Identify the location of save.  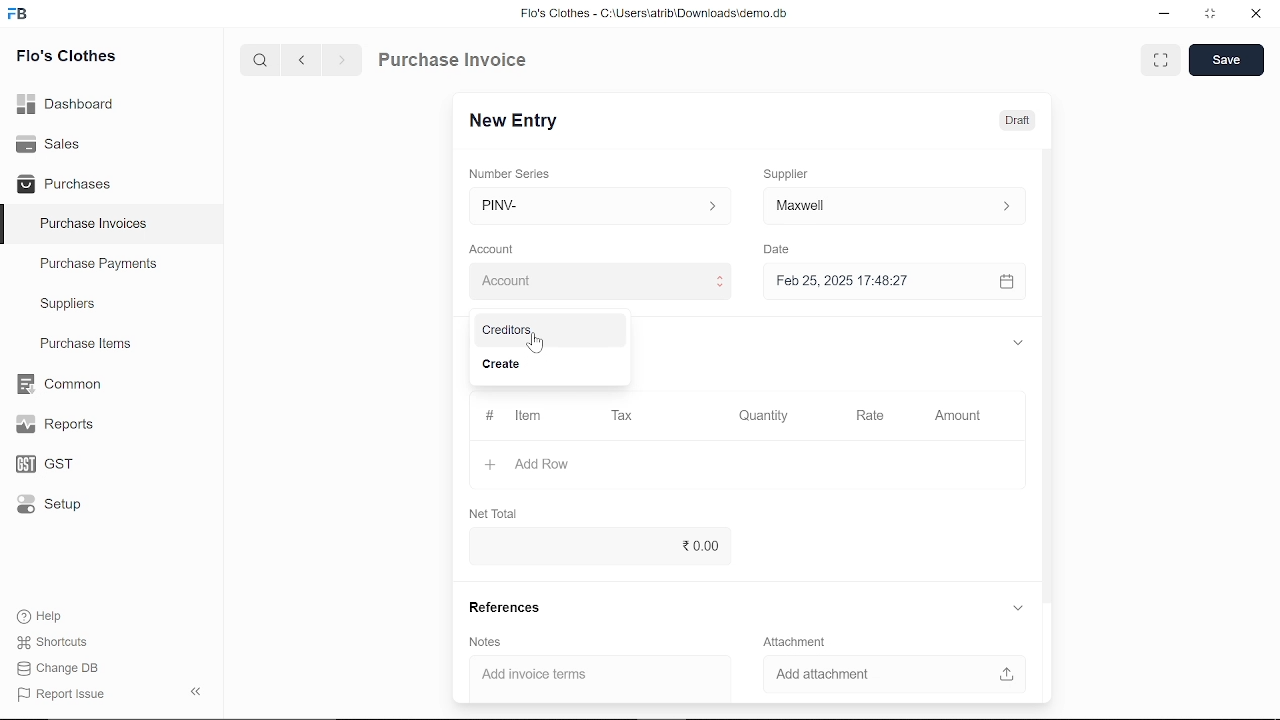
(1226, 61).